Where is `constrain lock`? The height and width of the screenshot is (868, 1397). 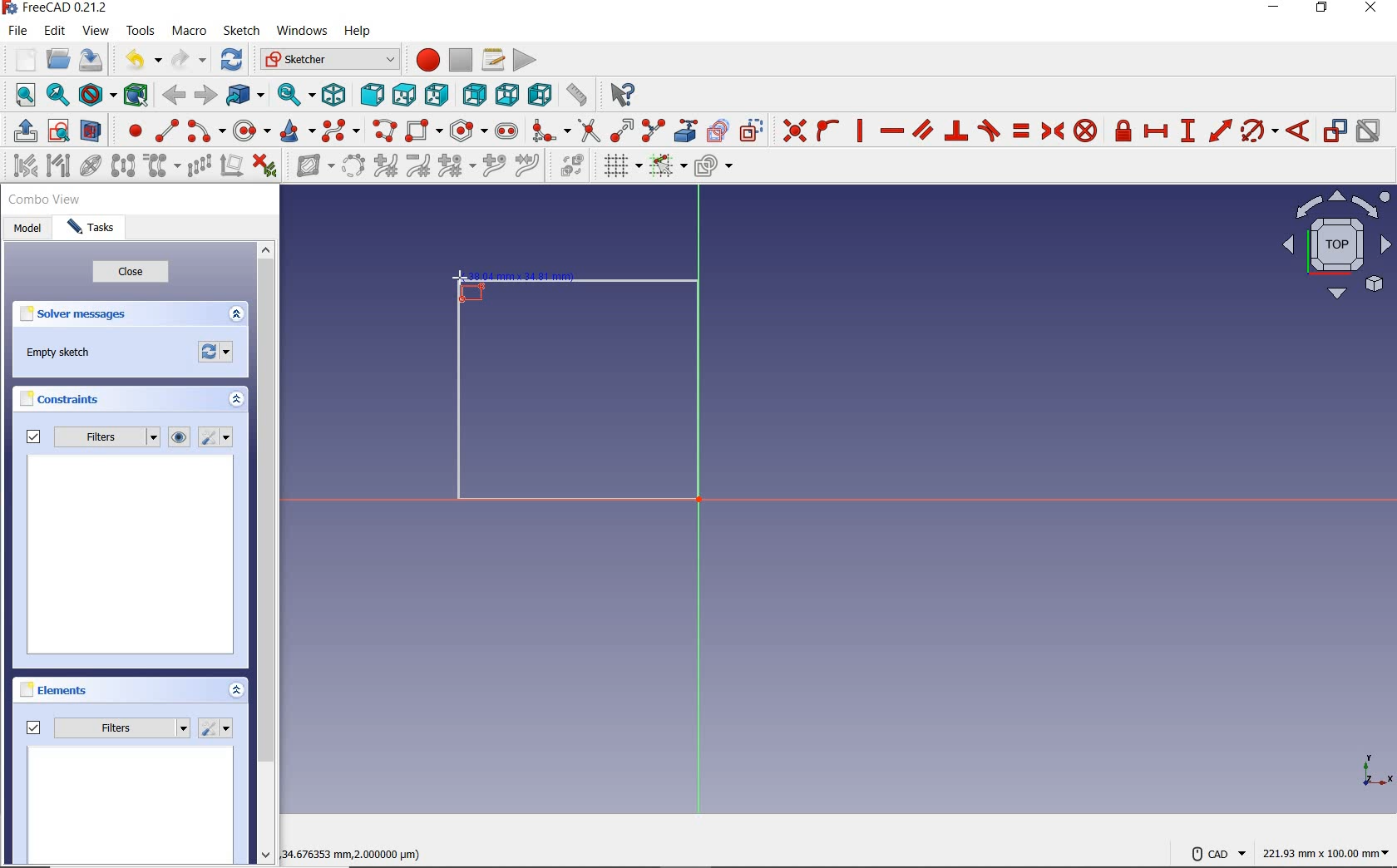 constrain lock is located at coordinates (1123, 131).